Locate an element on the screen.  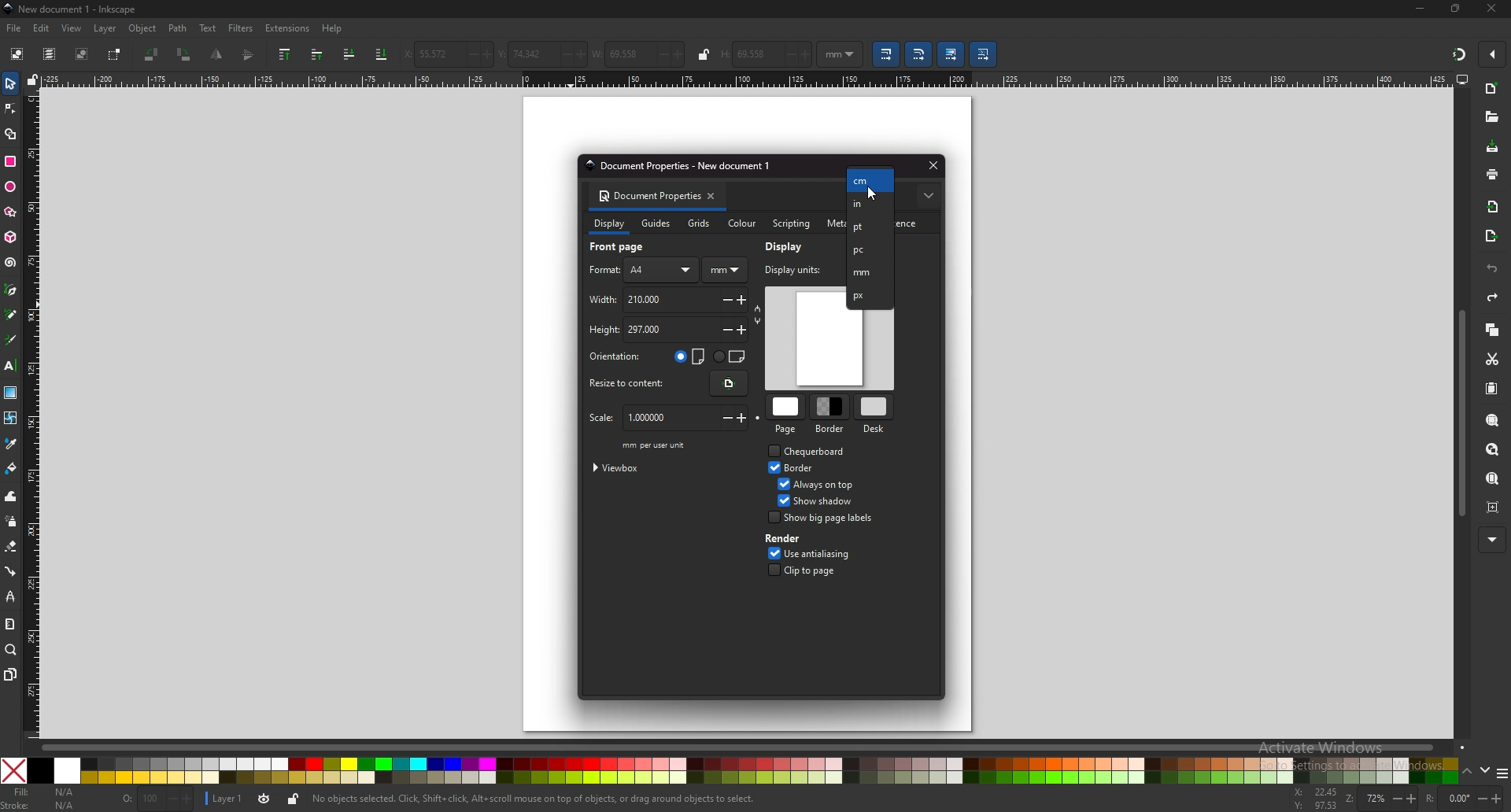
width is located at coordinates (618, 55).